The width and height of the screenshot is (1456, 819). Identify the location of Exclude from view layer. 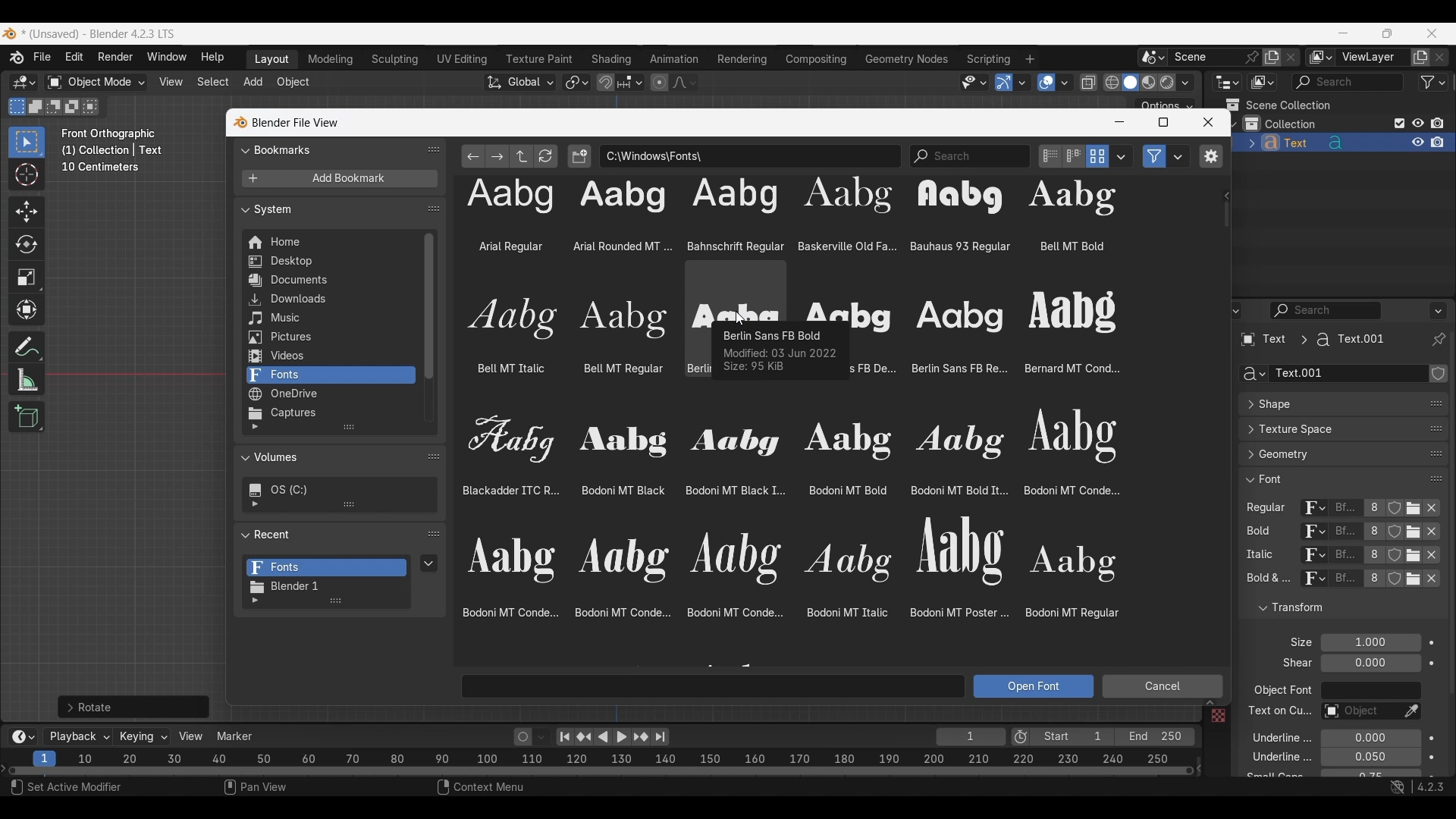
(1400, 123).